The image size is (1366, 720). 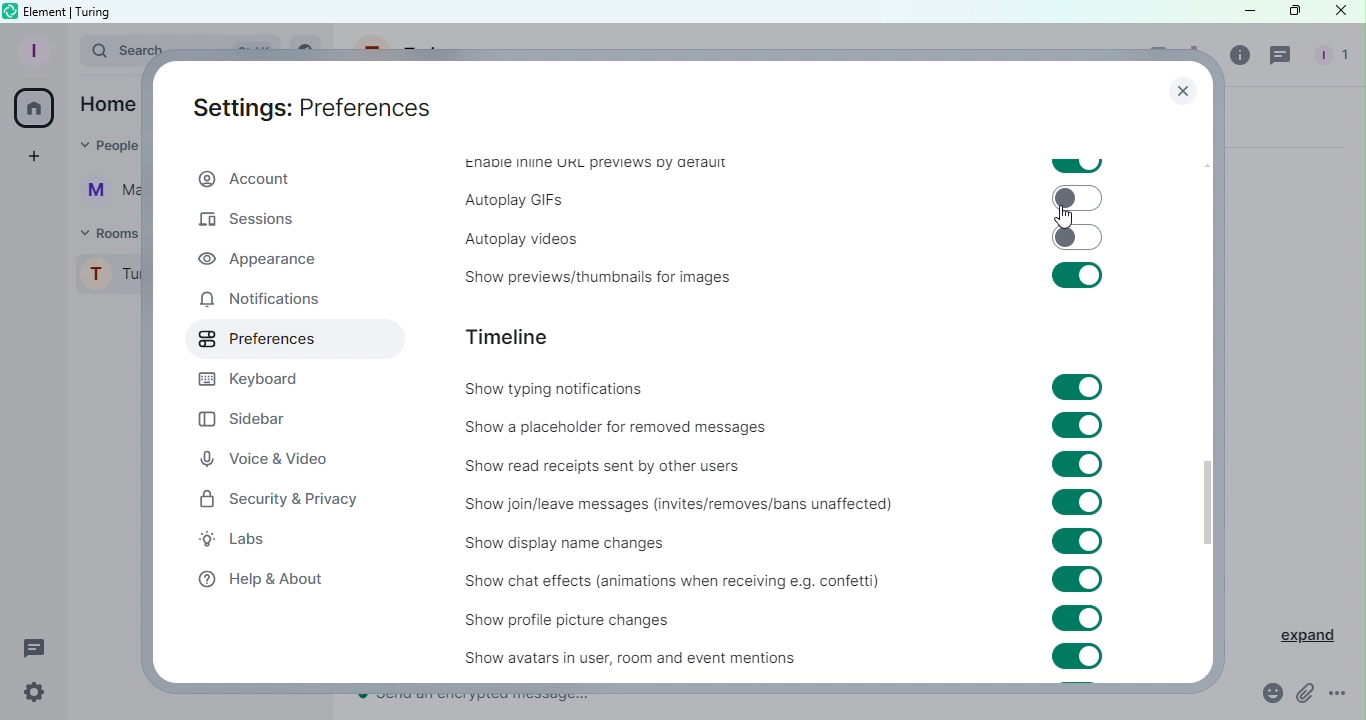 What do you see at coordinates (1290, 12) in the screenshot?
I see `Maximize` at bounding box center [1290, 12].